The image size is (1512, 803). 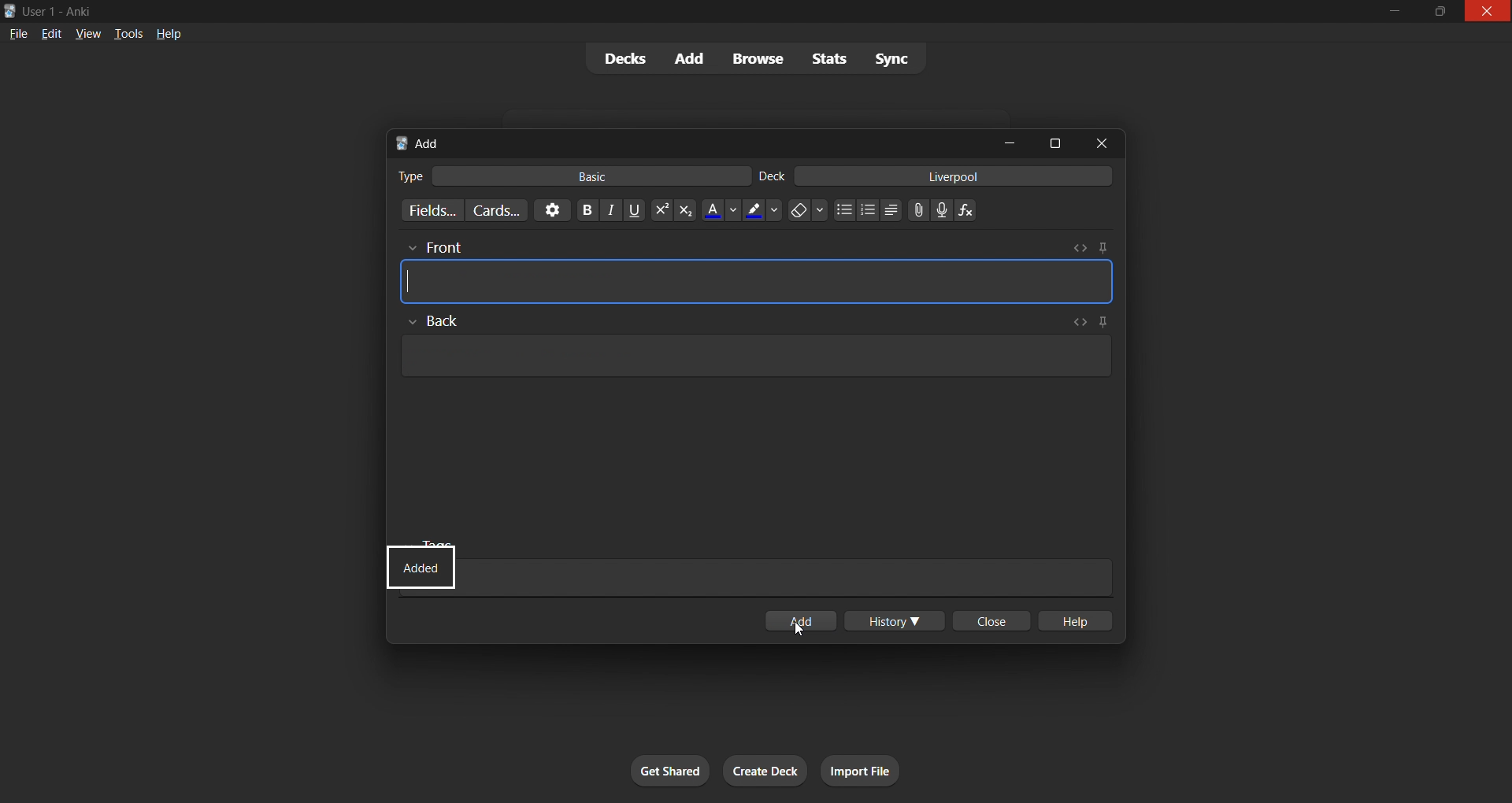 I want to click on import file, so click(x=876, y=768).